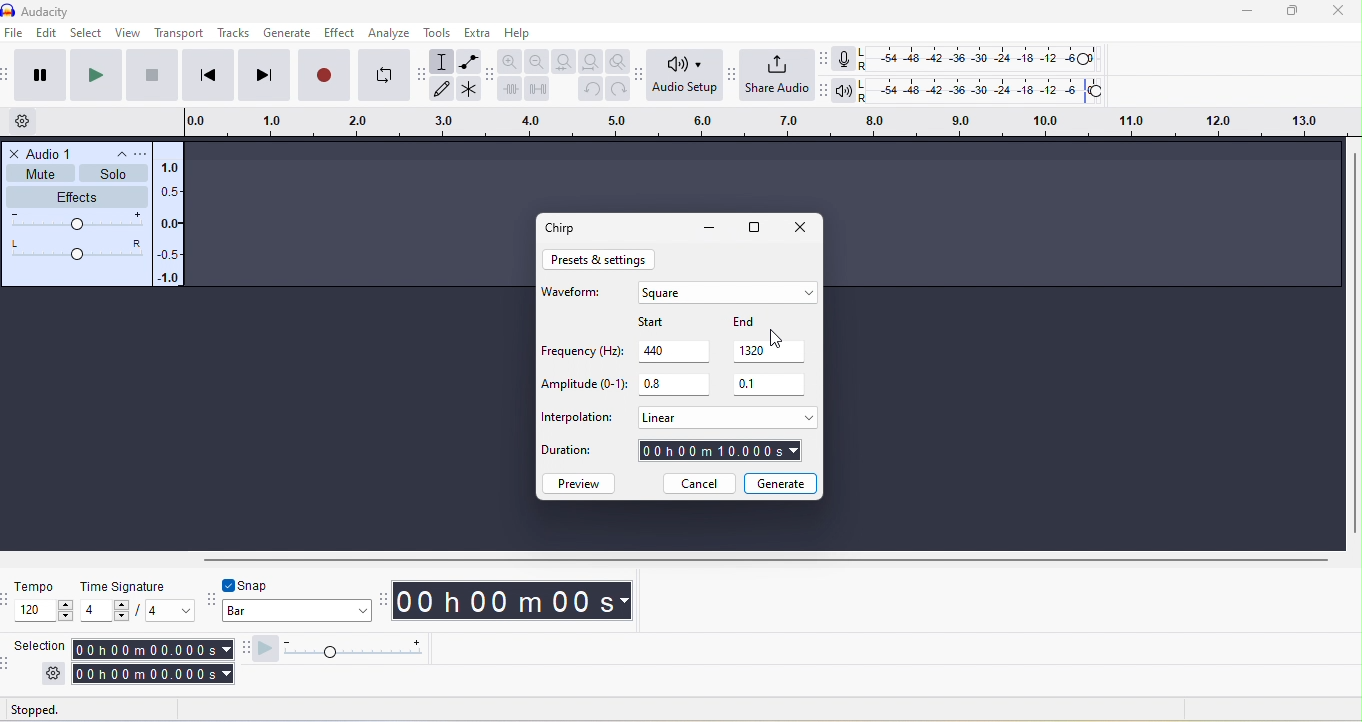 This screenshot has width=1362, height=722. Describe the element at coordinates (517, 602) in the screenshot. I see `00 h 00 m 00 s` at that location.